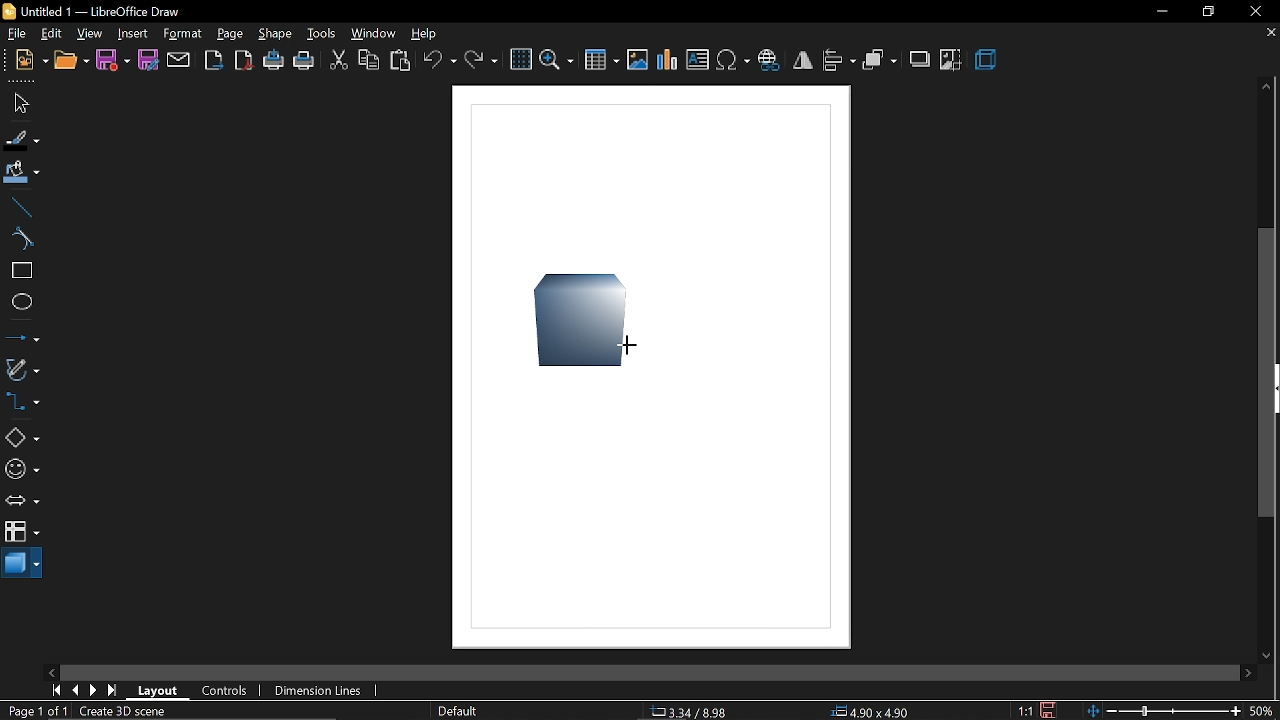  Describe the element at coordinates (1269, 373) in the screenshot. I see `vertical scrollbar` at that location.